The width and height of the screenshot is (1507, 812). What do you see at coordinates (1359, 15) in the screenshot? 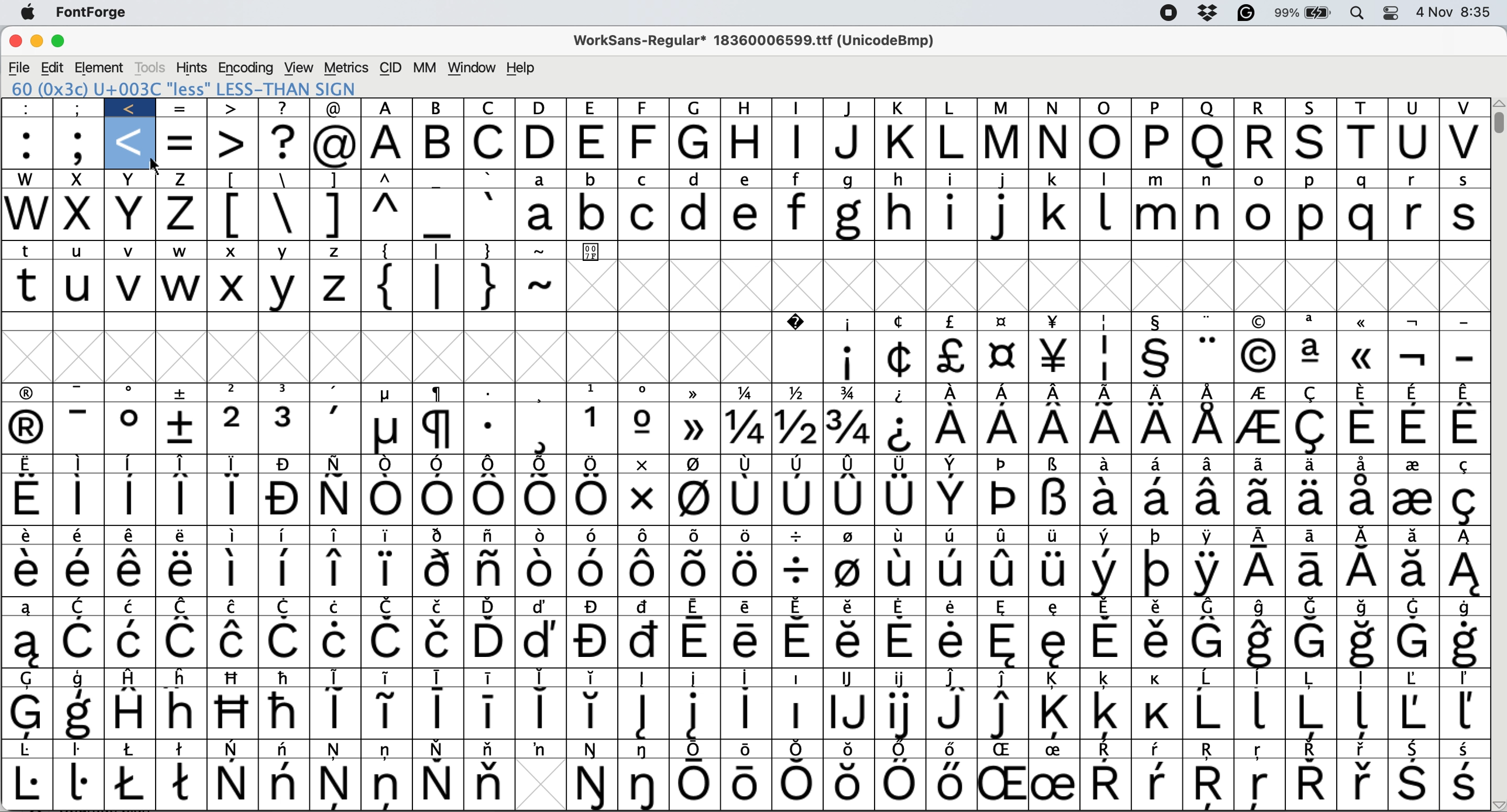
I see `spotlight searcg` at bounding box center [1359, 15].